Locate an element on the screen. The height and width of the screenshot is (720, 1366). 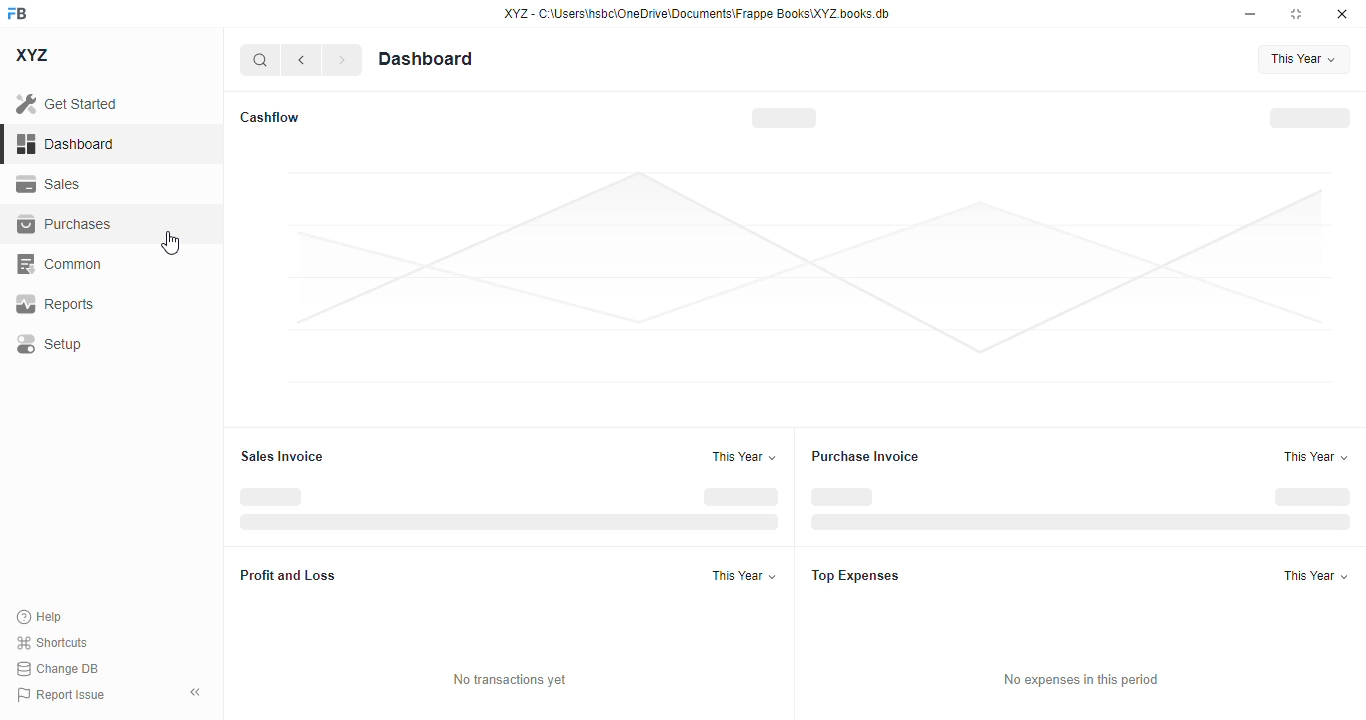
profit and loss is located at coordinates (288, 574).